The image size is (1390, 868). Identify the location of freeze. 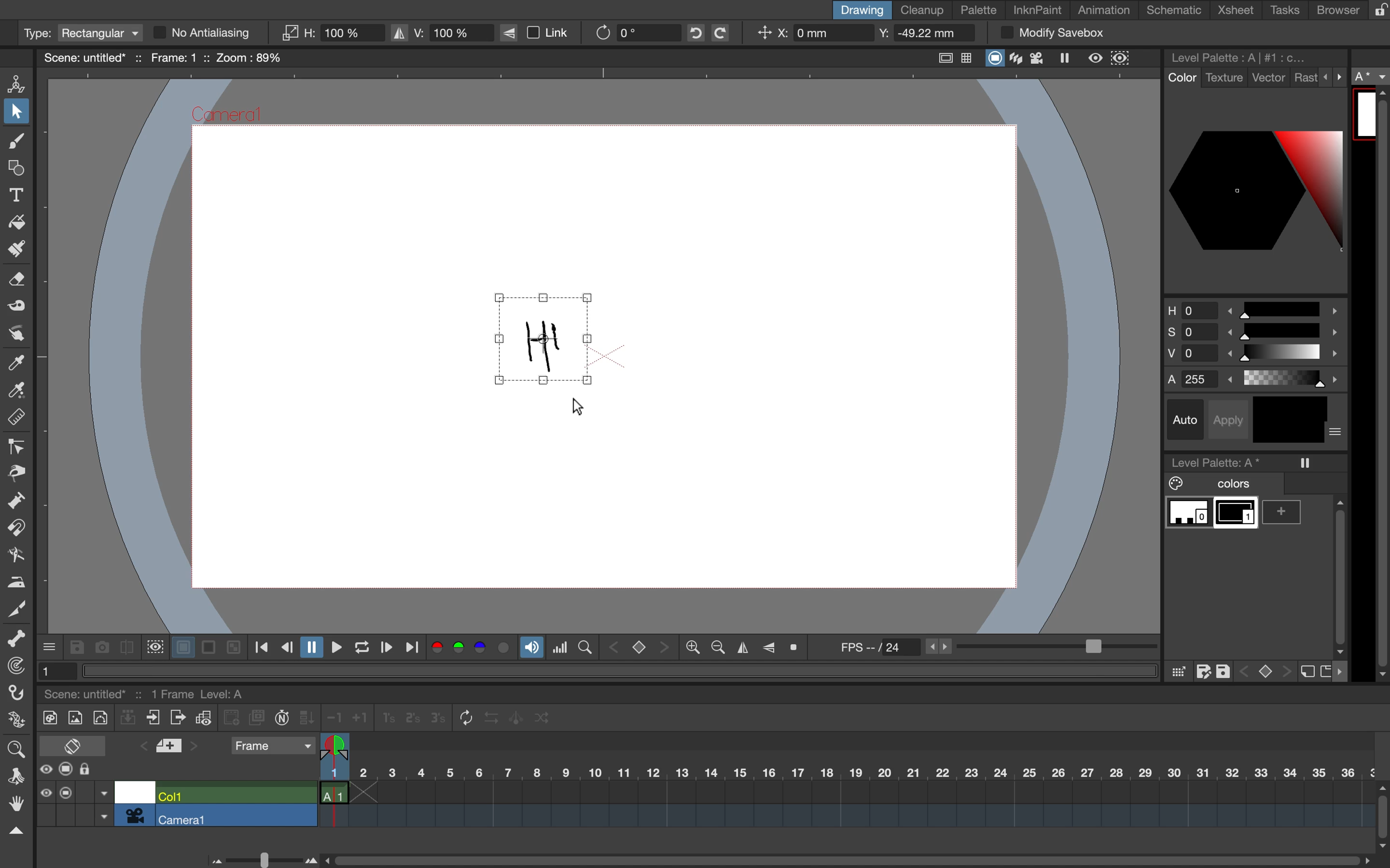
(1306, 463).